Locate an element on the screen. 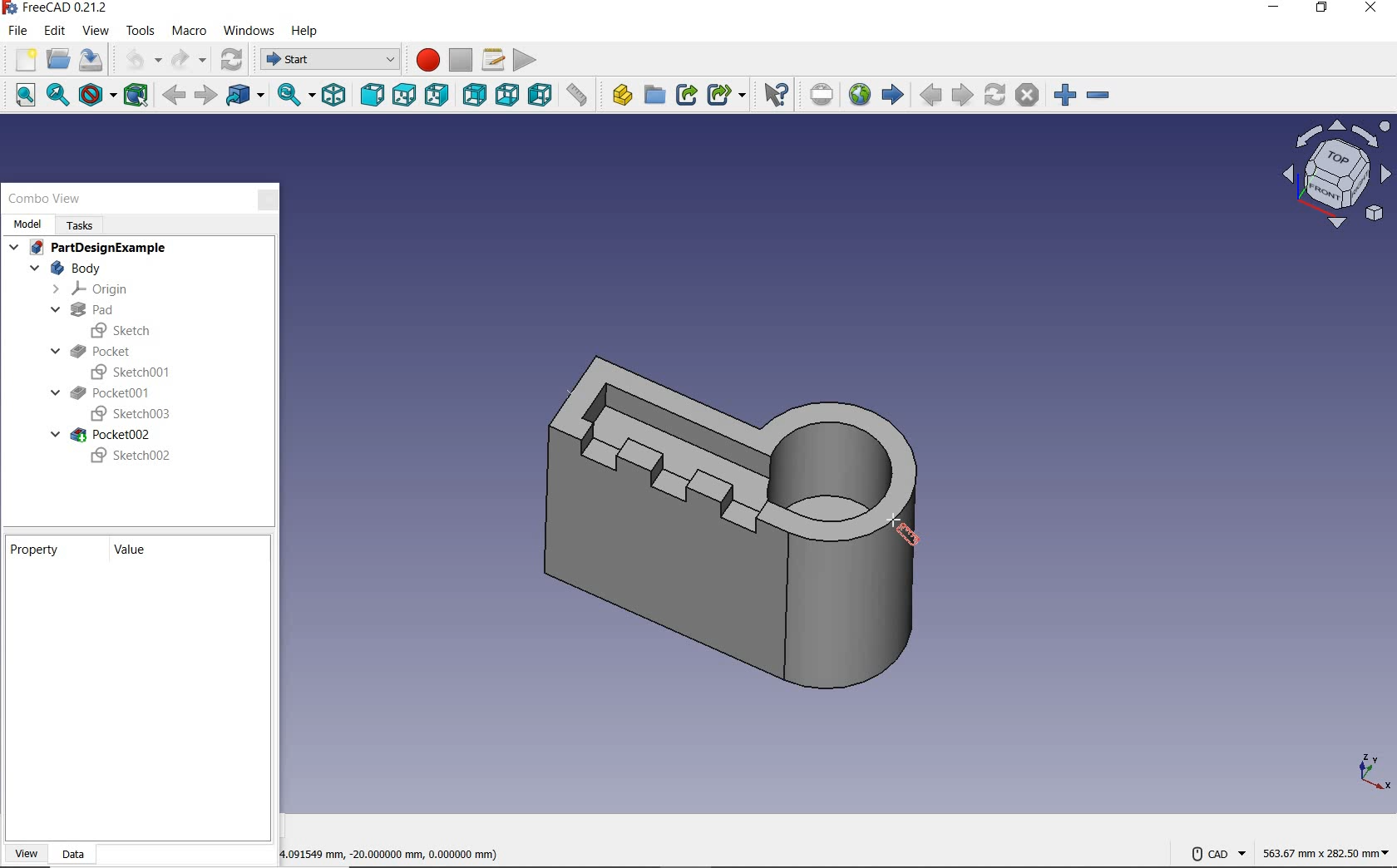 The width and height of the screenshot is (1397, 868). SKETCH001 is located at coordinates (134, 371).